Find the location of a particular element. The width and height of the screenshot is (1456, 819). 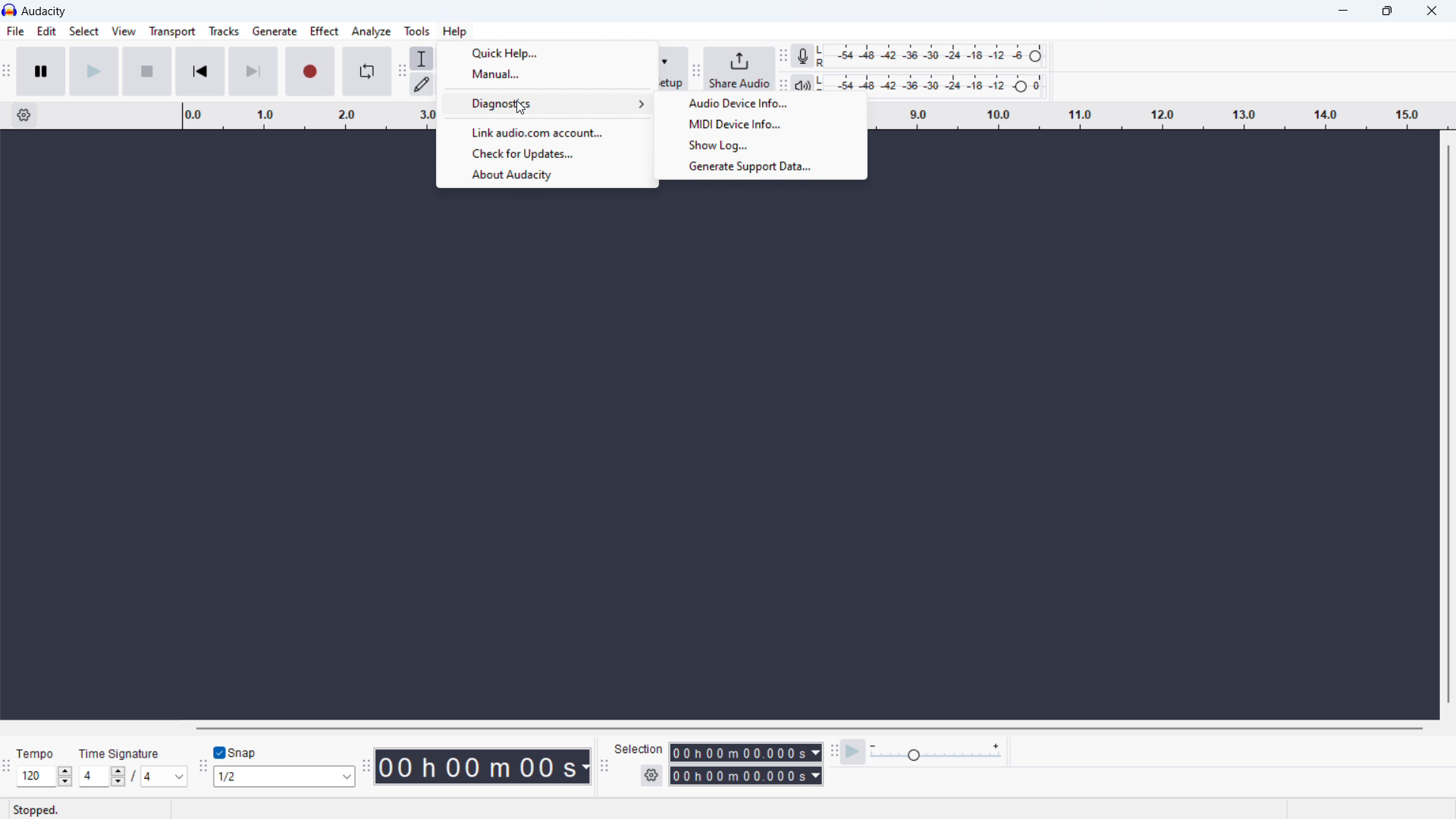

set tempo is located at coordinates (45, 777).